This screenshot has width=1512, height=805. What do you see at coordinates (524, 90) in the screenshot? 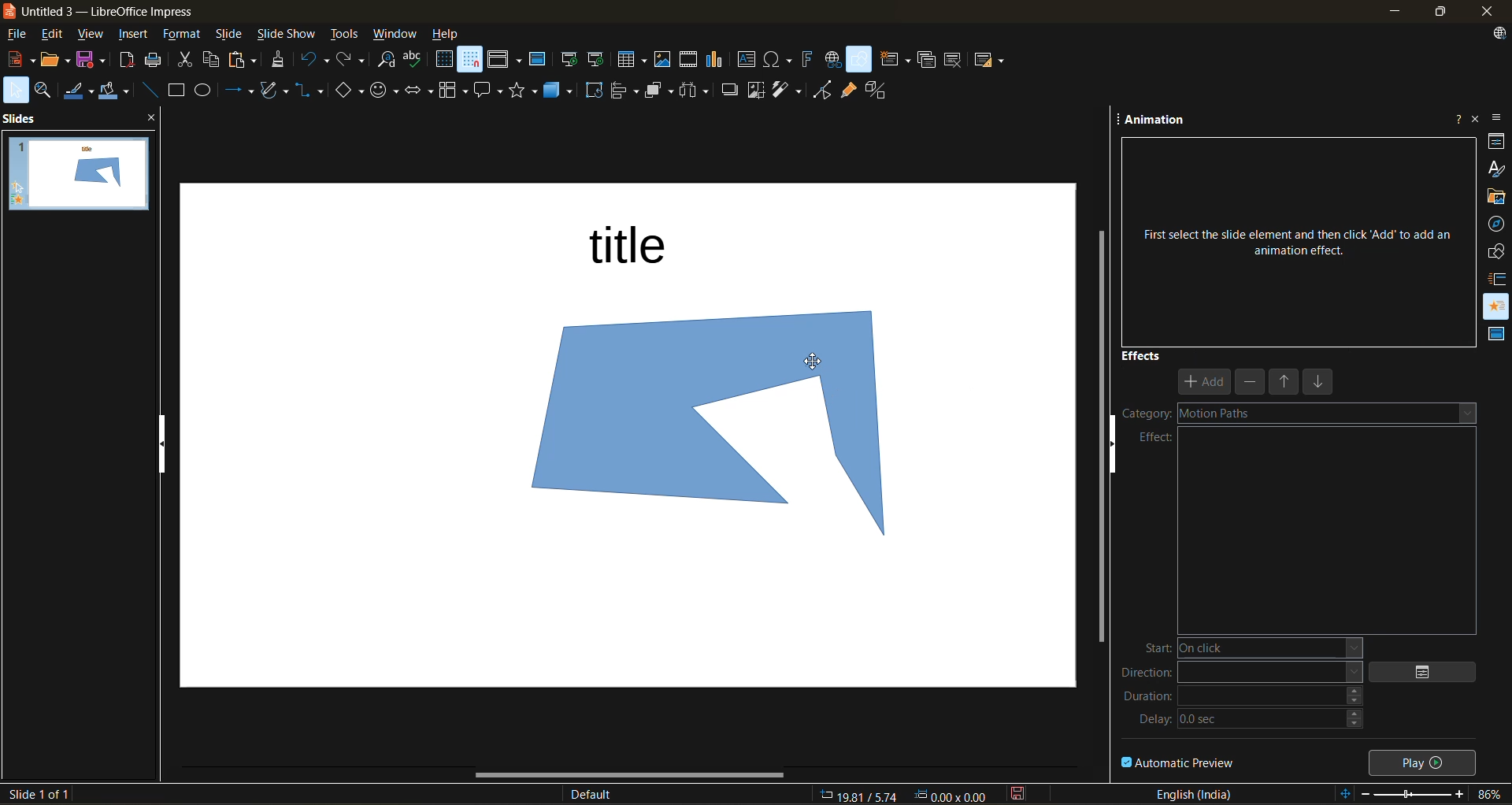
I see `stars and banners` at bounding box center [524, 90].